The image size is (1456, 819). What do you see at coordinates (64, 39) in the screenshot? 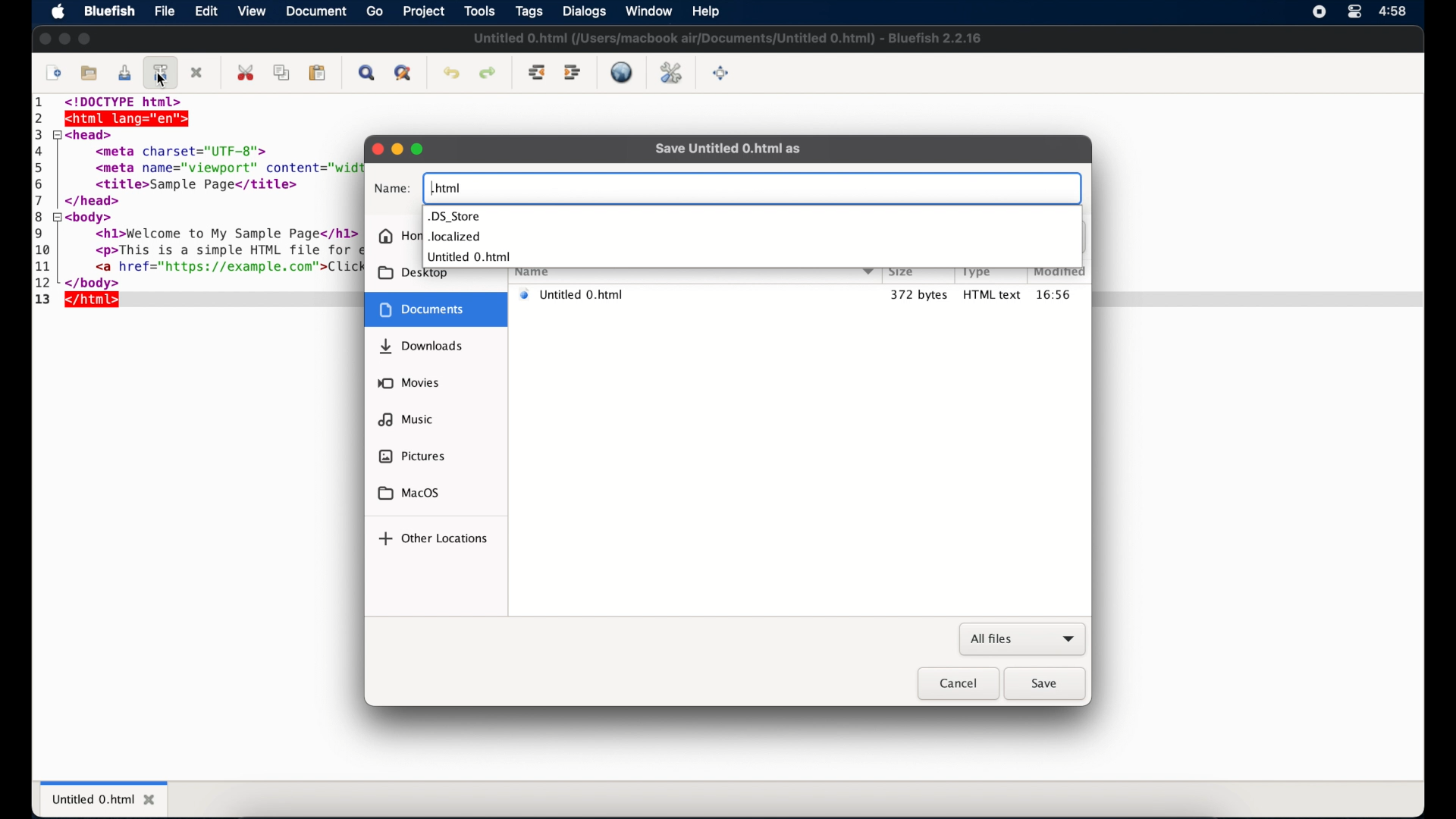
I see `minimize` at bounding box center [64, 39].